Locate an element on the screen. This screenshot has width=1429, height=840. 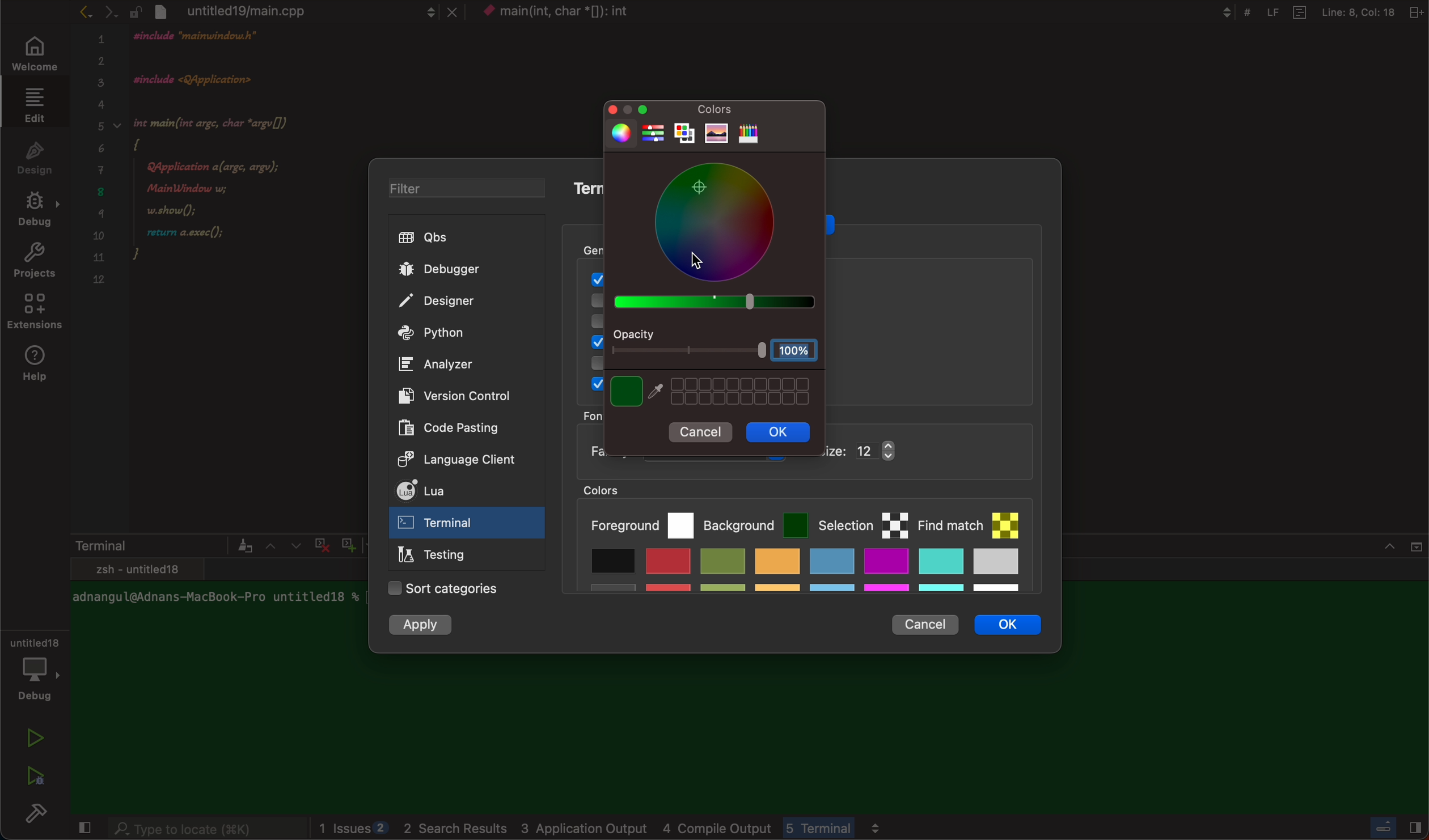
designer is located at coordinates (456, 302).